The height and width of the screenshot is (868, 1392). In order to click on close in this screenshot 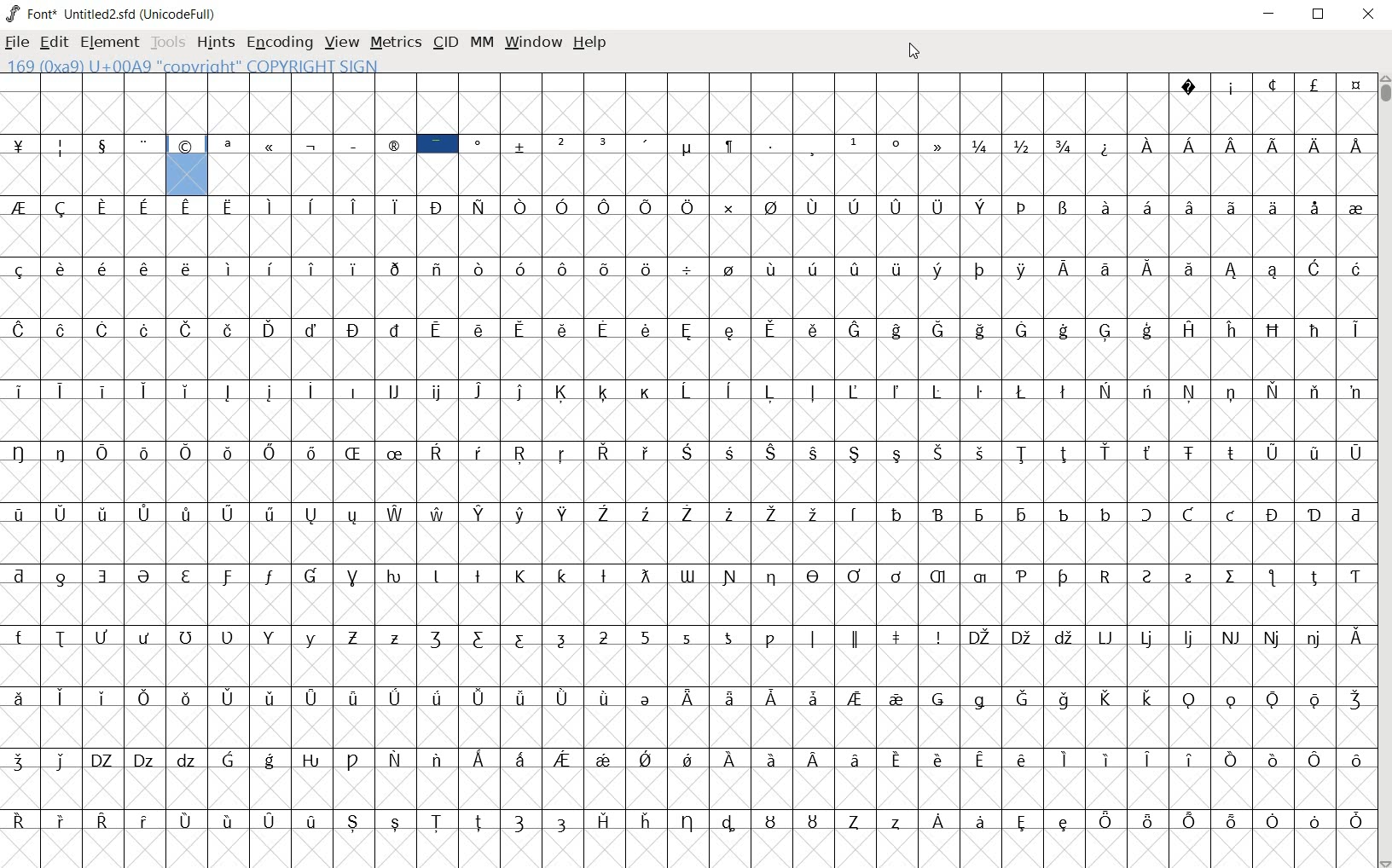, I will do `click(1369, 14)`.